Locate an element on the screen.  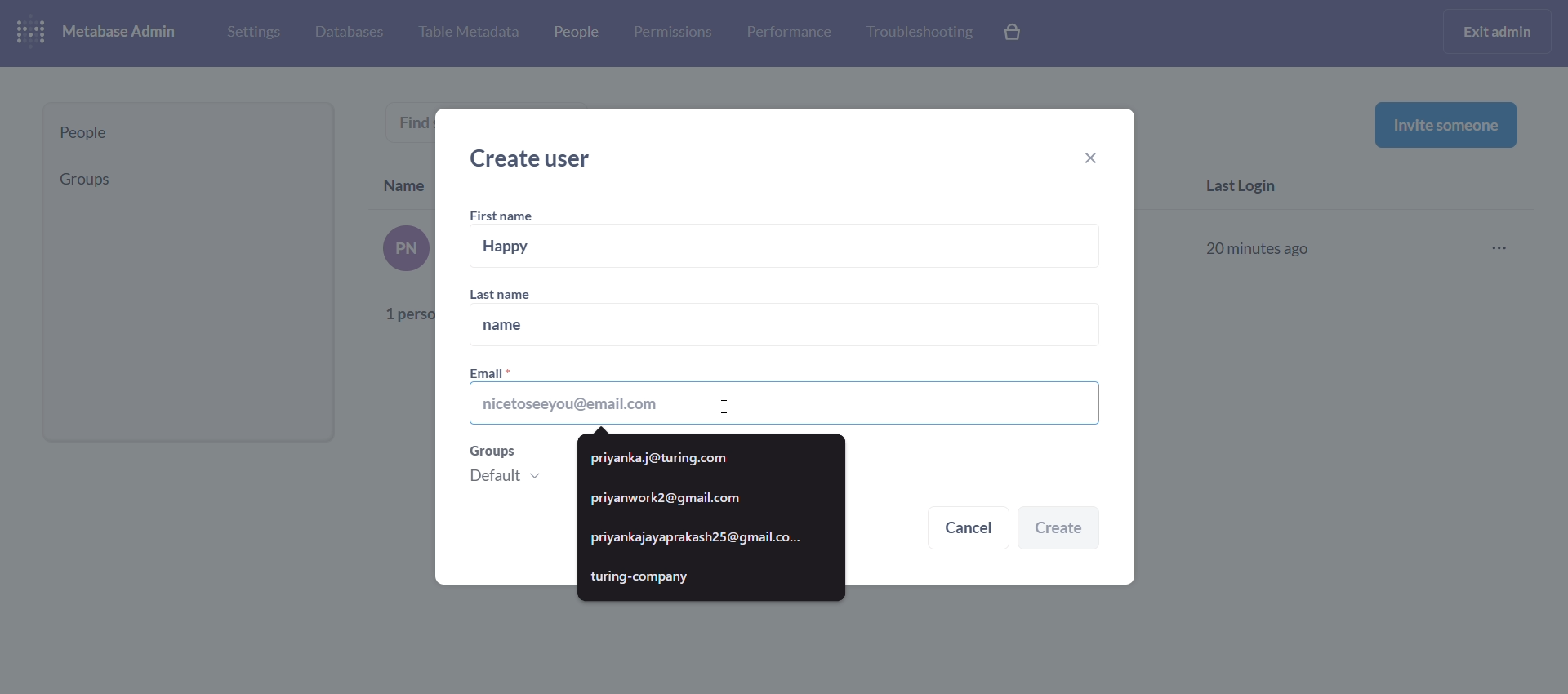
text is located at coordinates (395, 276).